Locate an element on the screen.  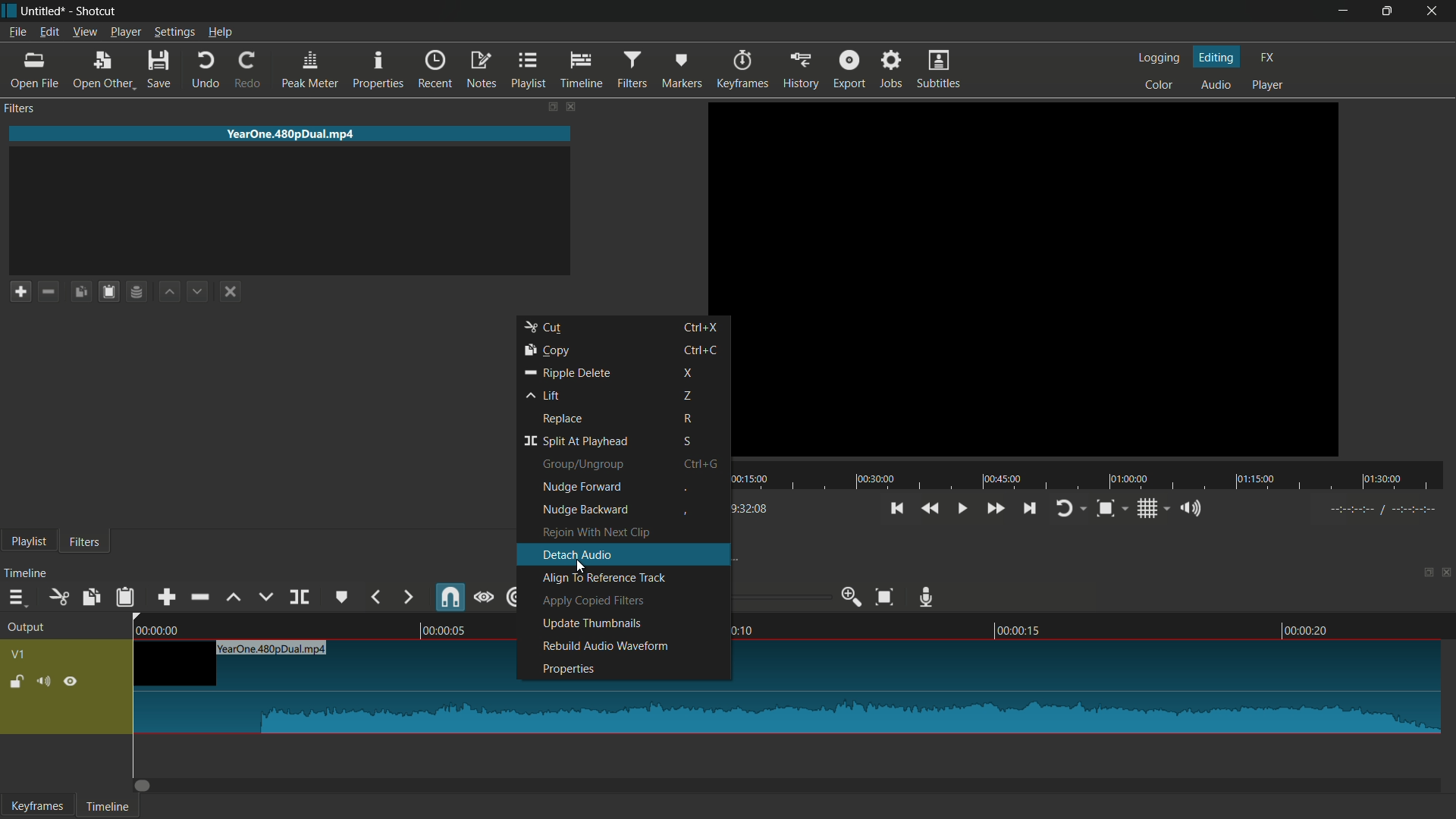
edit menu is located at coordinates (49, 32).